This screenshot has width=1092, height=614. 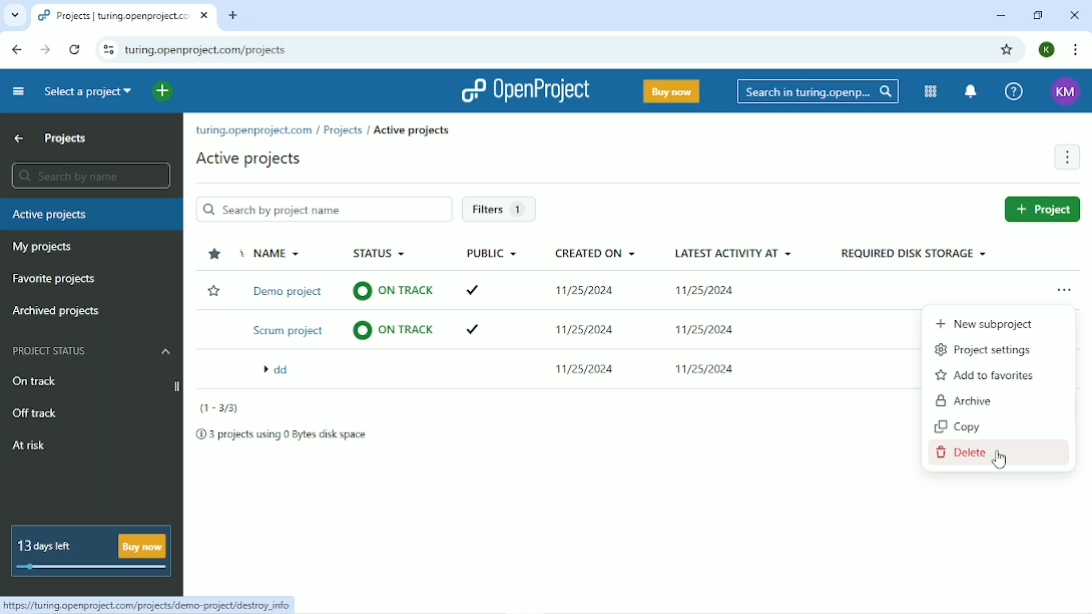 What do you see at coordinates (1048, 50) in the screenshot?
I see `Account` at bounding box center [1048, 50].